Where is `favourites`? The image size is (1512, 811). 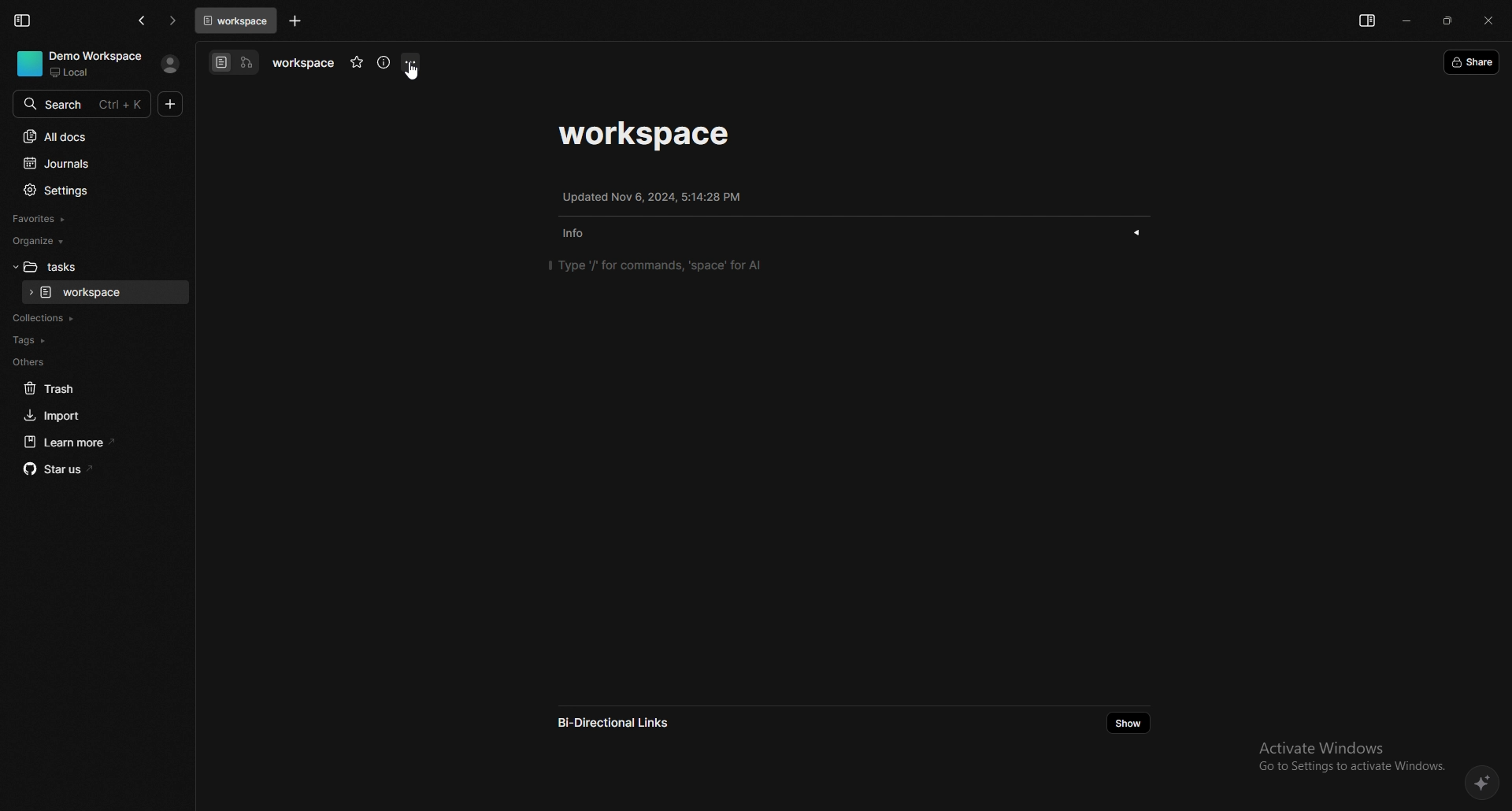 favourites is located at coordinates (87, 220).